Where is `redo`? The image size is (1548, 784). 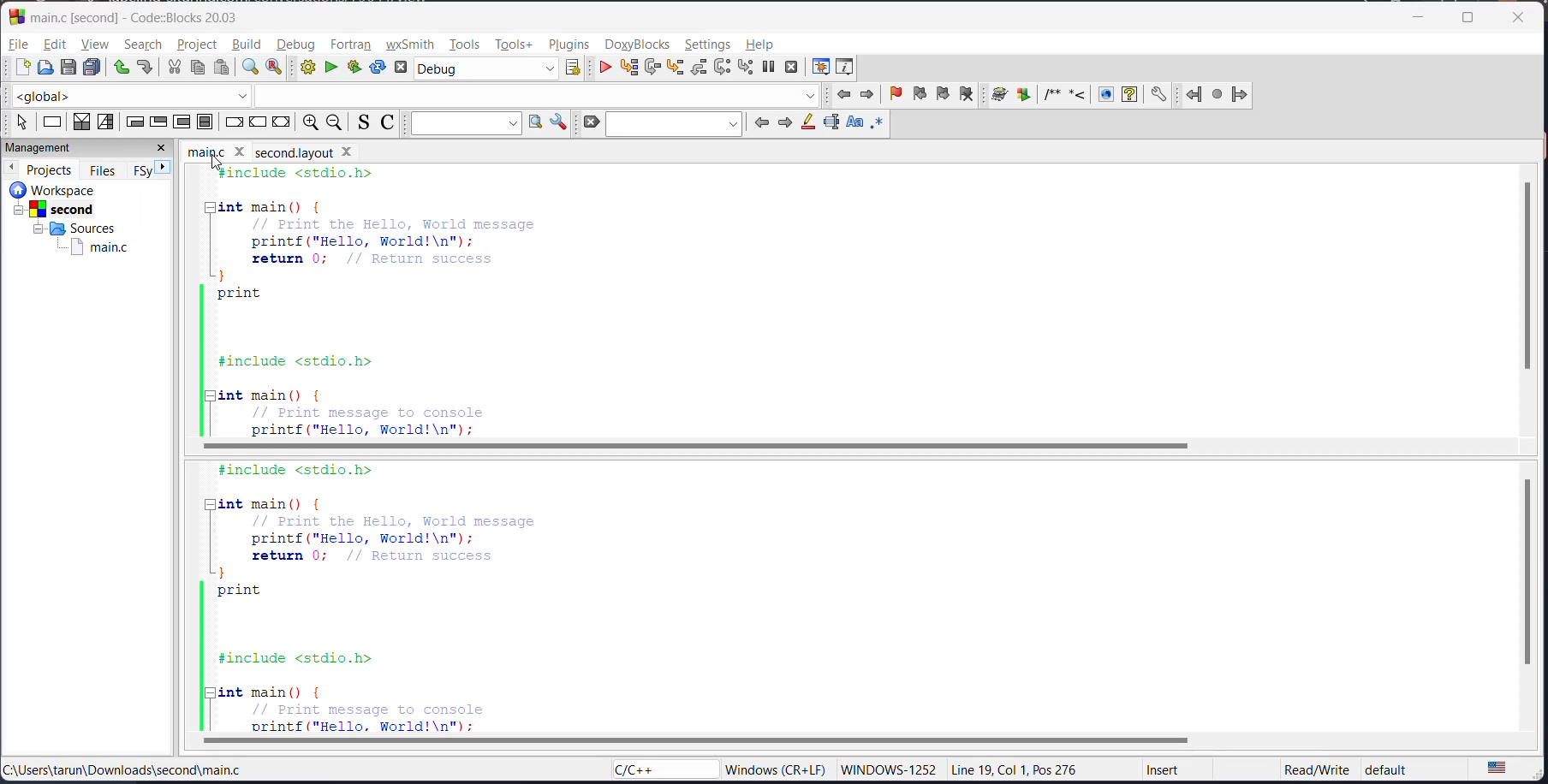
redo is located at coordinates (146, 68).